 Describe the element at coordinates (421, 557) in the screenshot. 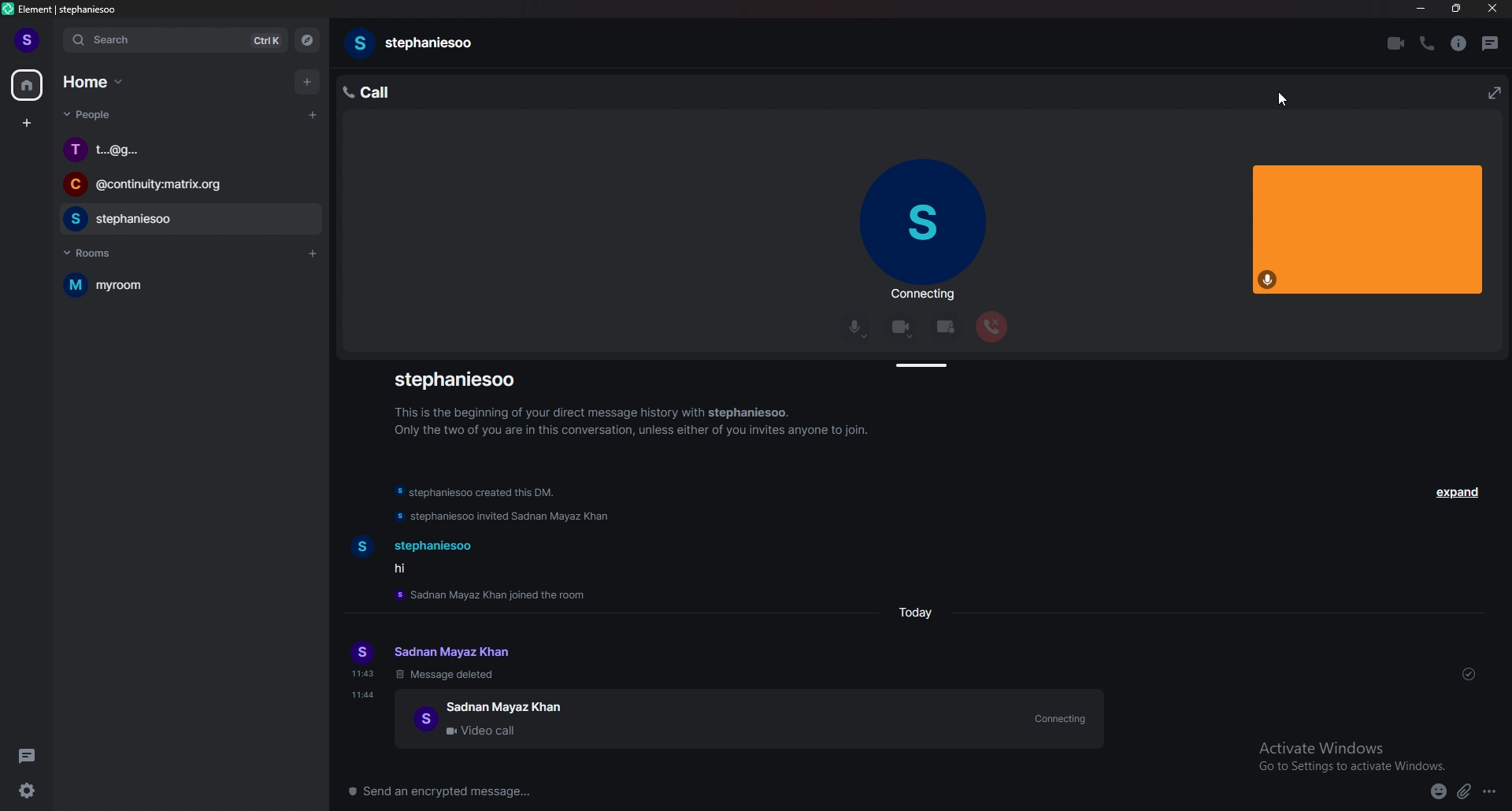

I see `text` at that location.